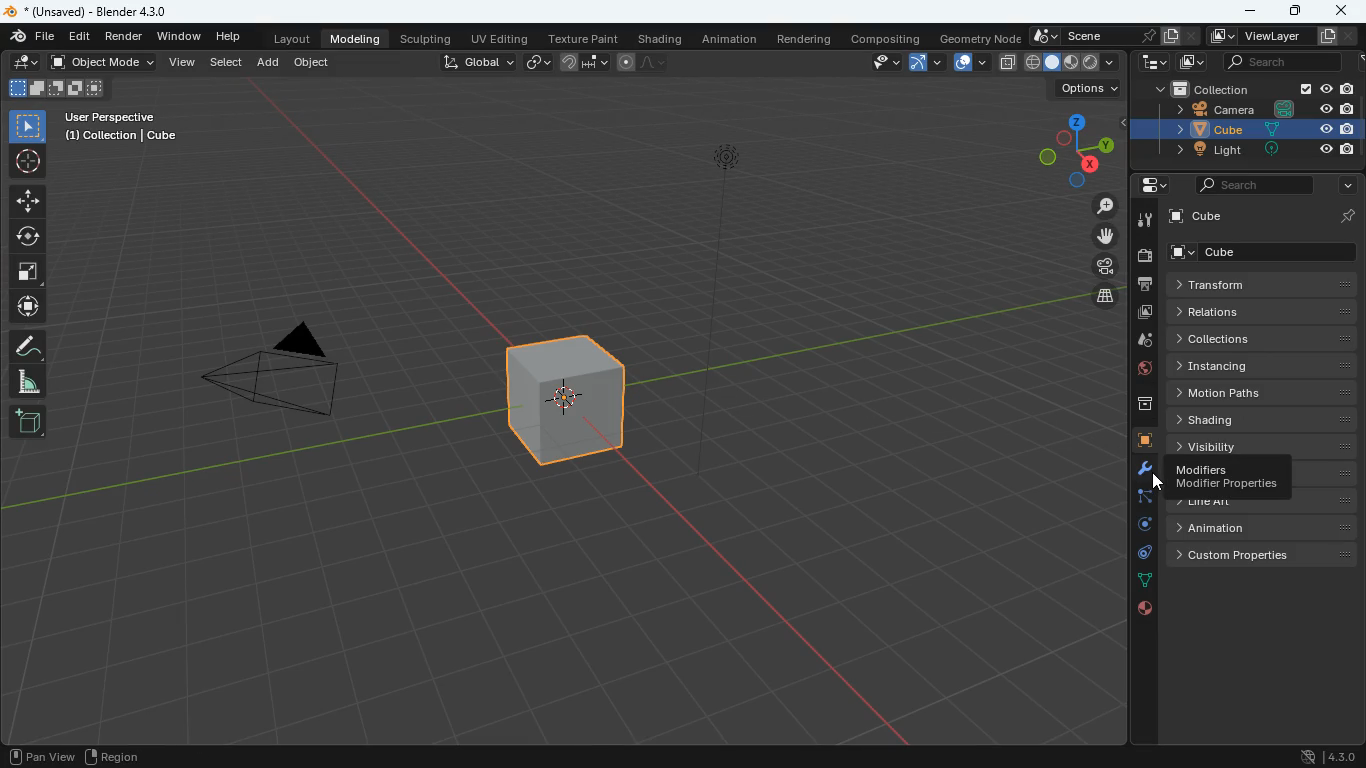 The width and height of the screenshot is (1366, 768). What do you see at coordinates (1262, 340) in the screenshot?
I see `collections` at bounding box center [1262, 340].